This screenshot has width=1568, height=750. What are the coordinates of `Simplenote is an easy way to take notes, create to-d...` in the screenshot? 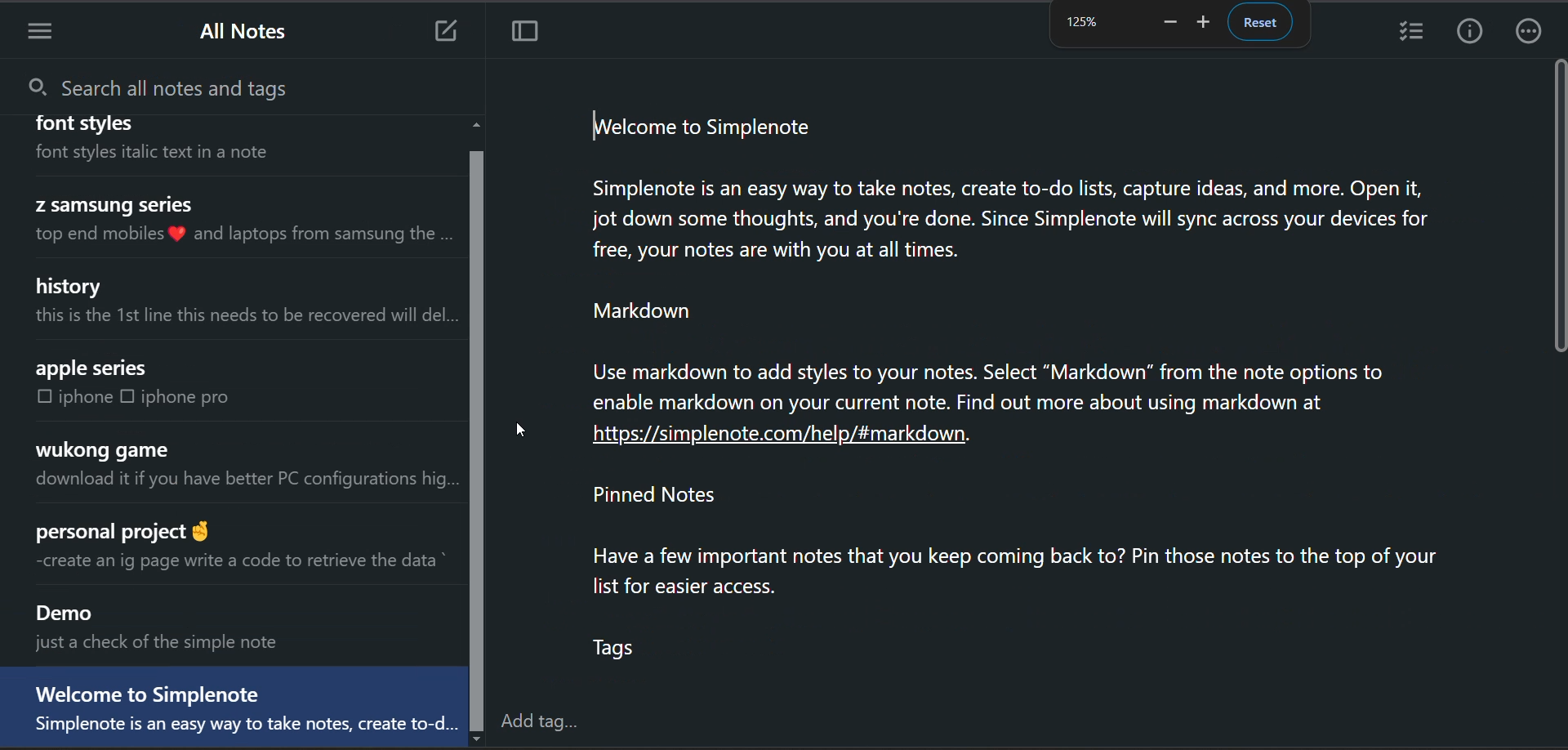 It's located at (234, 728).